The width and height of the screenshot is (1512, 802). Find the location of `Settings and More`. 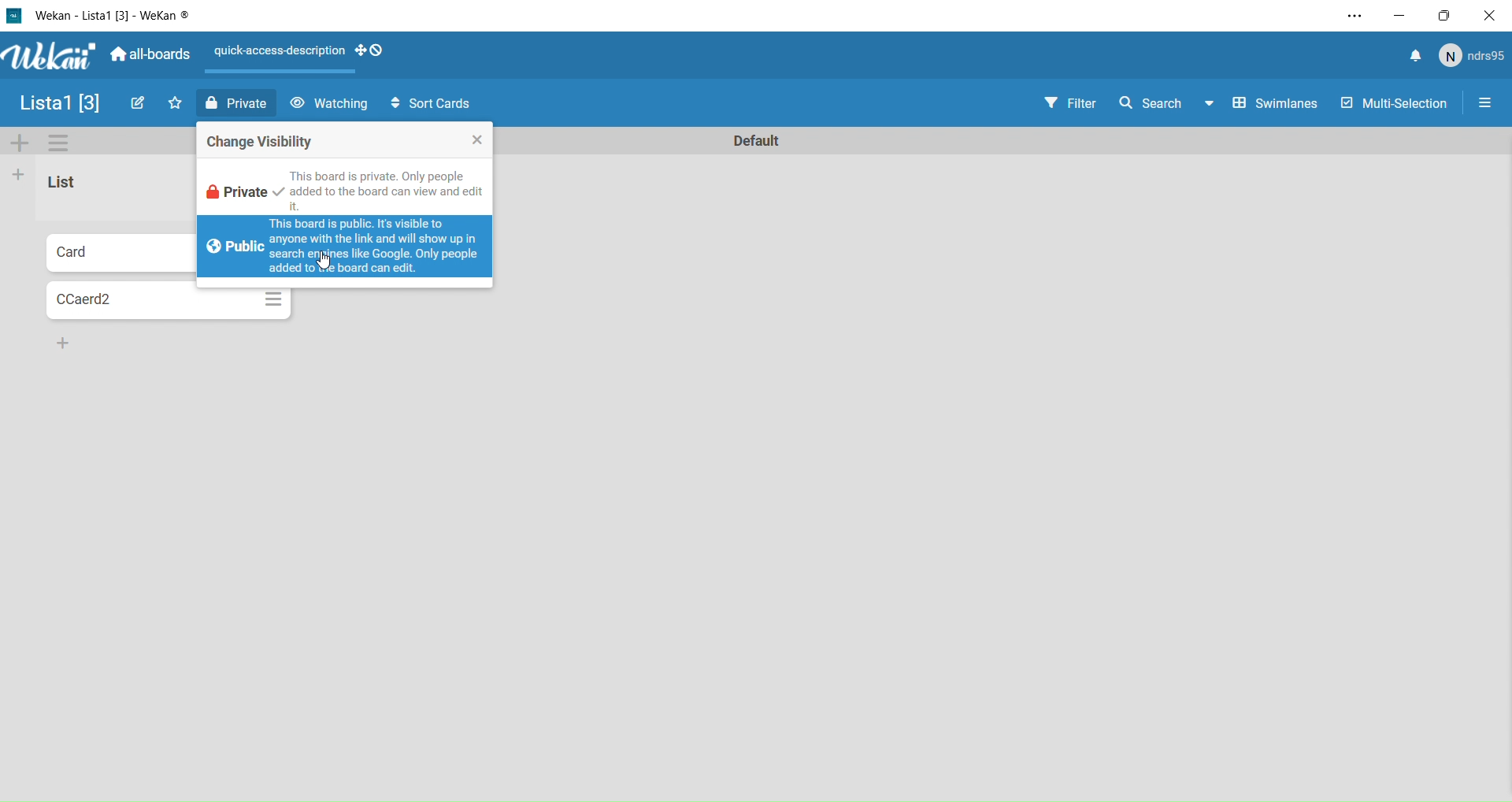

Settings and More is located at coordinates (1352, 13).